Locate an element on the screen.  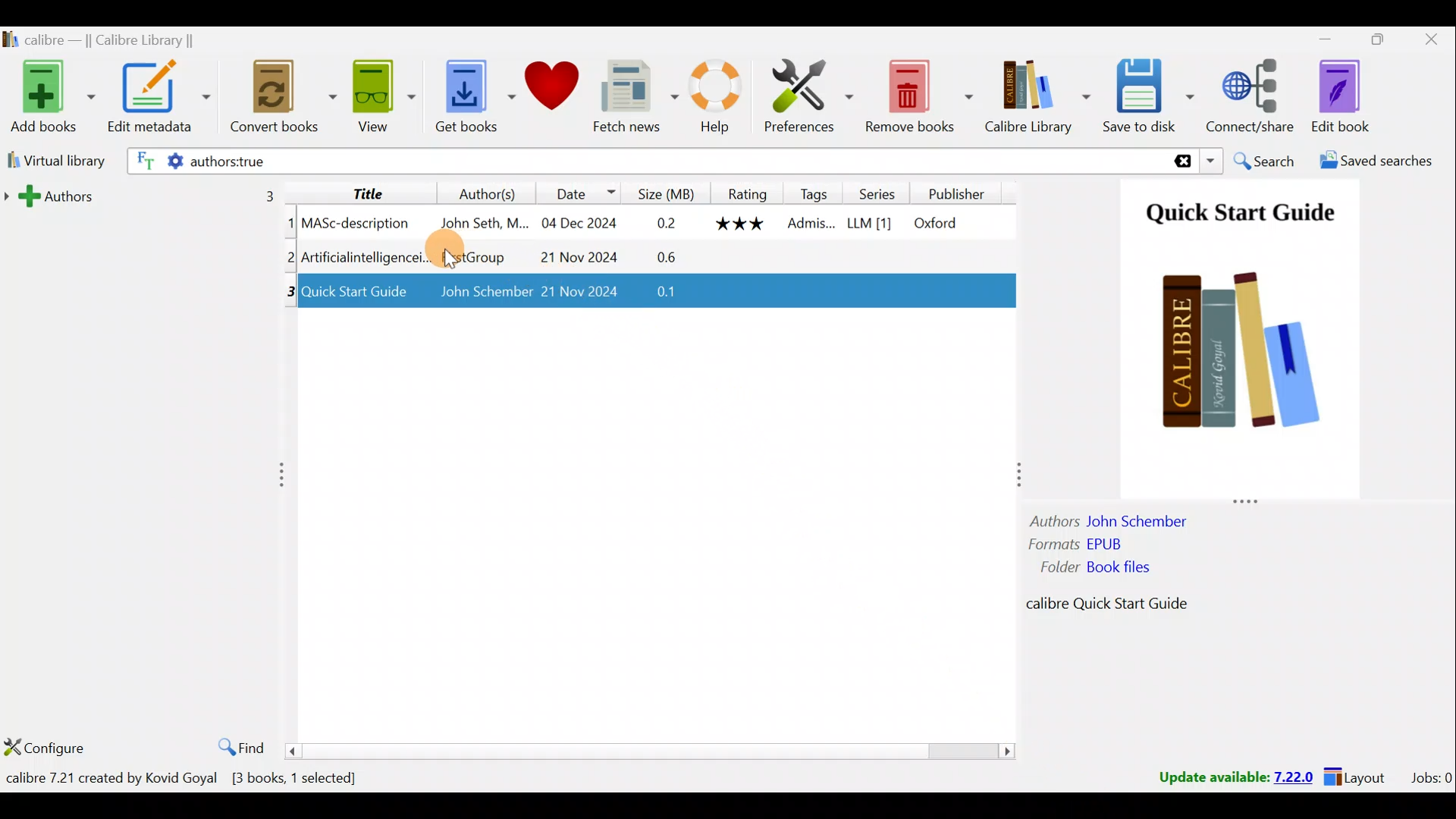
Size is located at coordinates (666, 191).